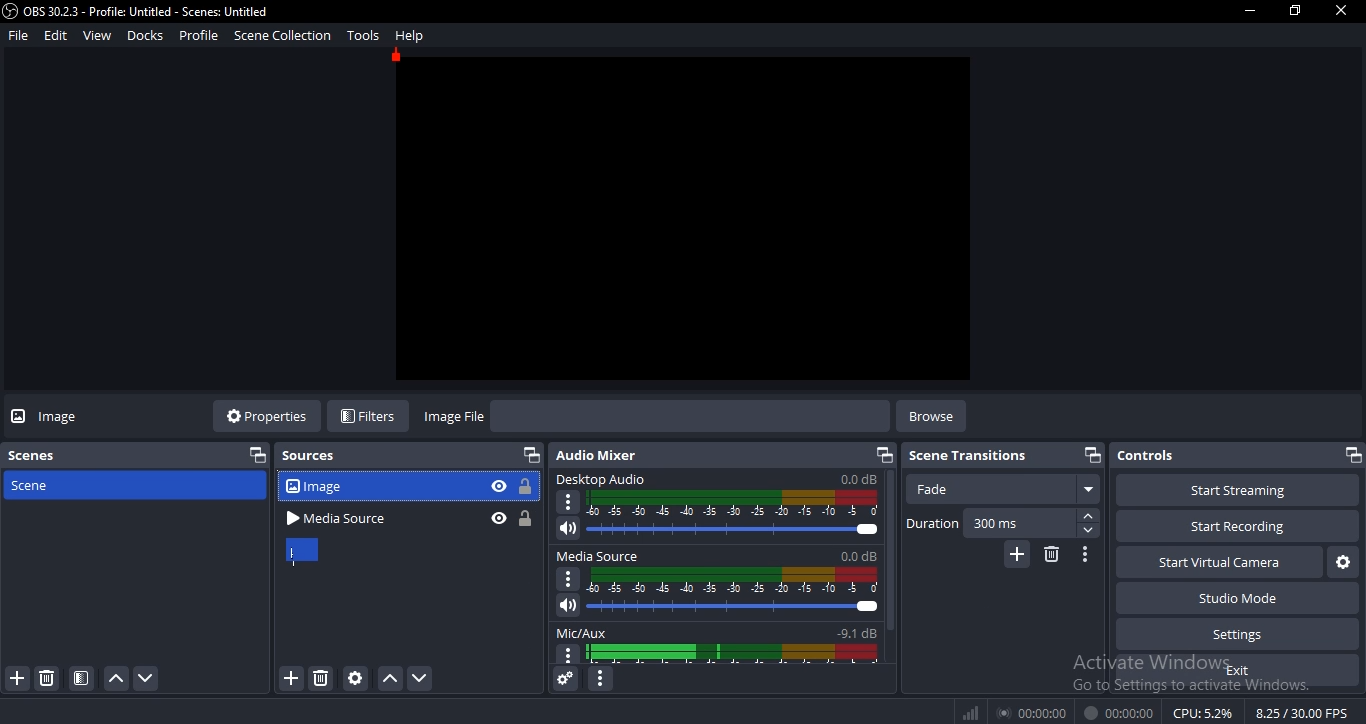 The height and width of the screenshot is (724, 1366). I want to click on sources, so click(314, 458).